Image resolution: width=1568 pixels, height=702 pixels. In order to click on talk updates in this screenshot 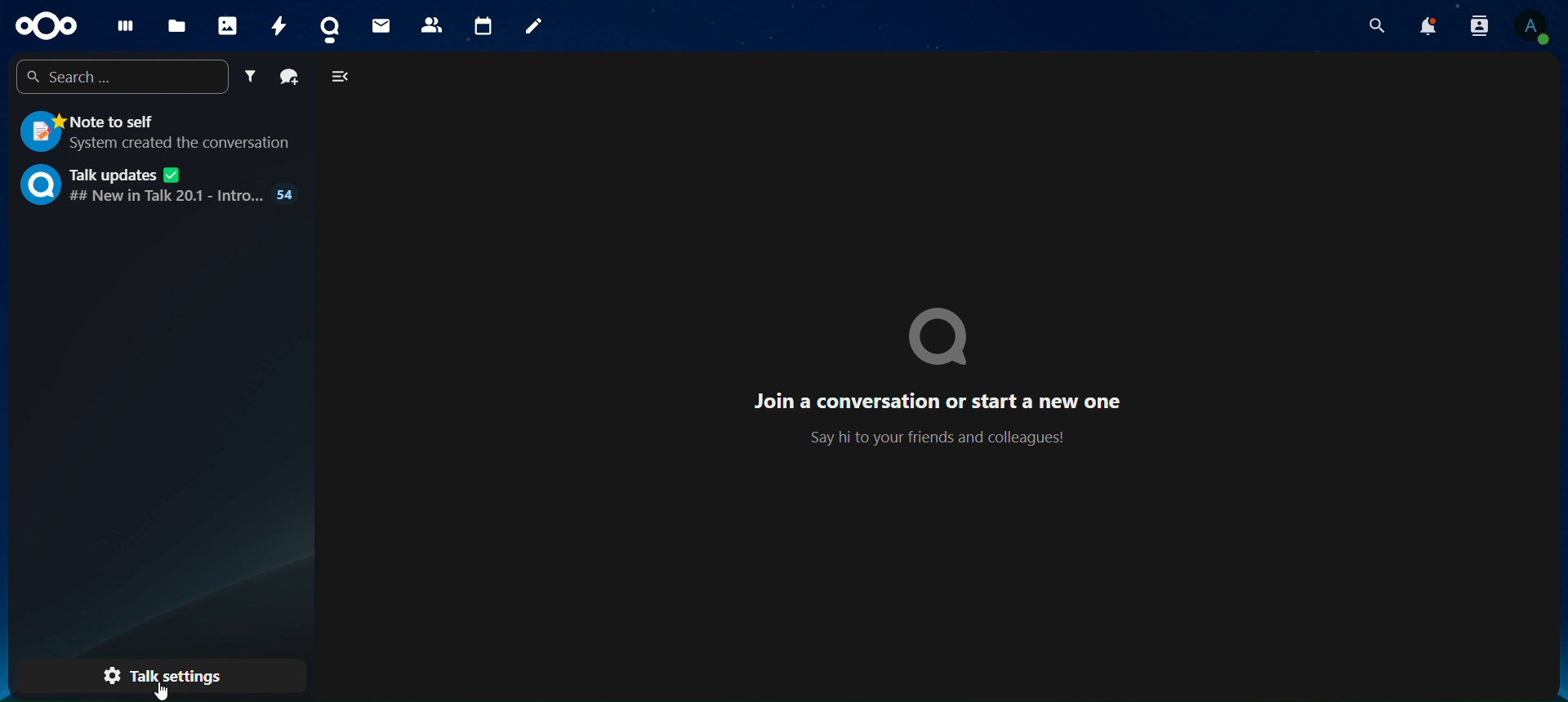, I will do `click(160, 184)`.